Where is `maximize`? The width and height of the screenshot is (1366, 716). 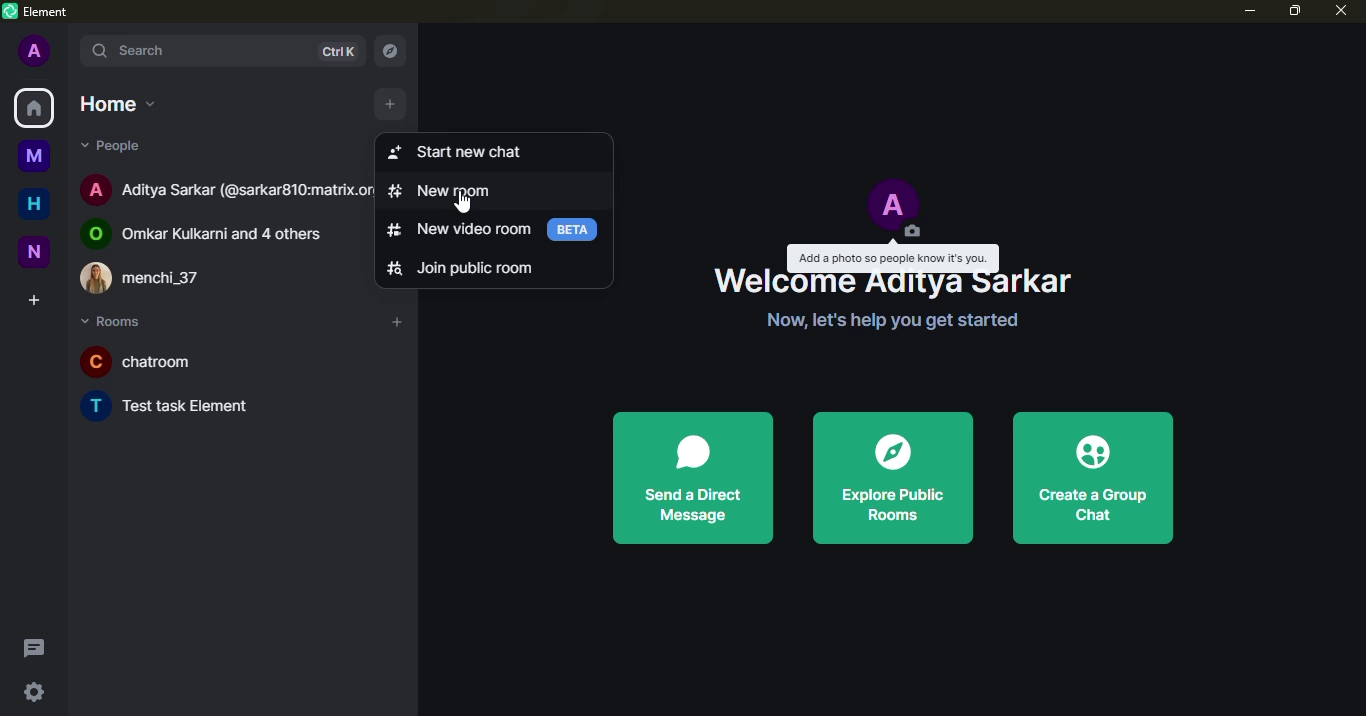
maximize is located at coordinates (1294, 12).